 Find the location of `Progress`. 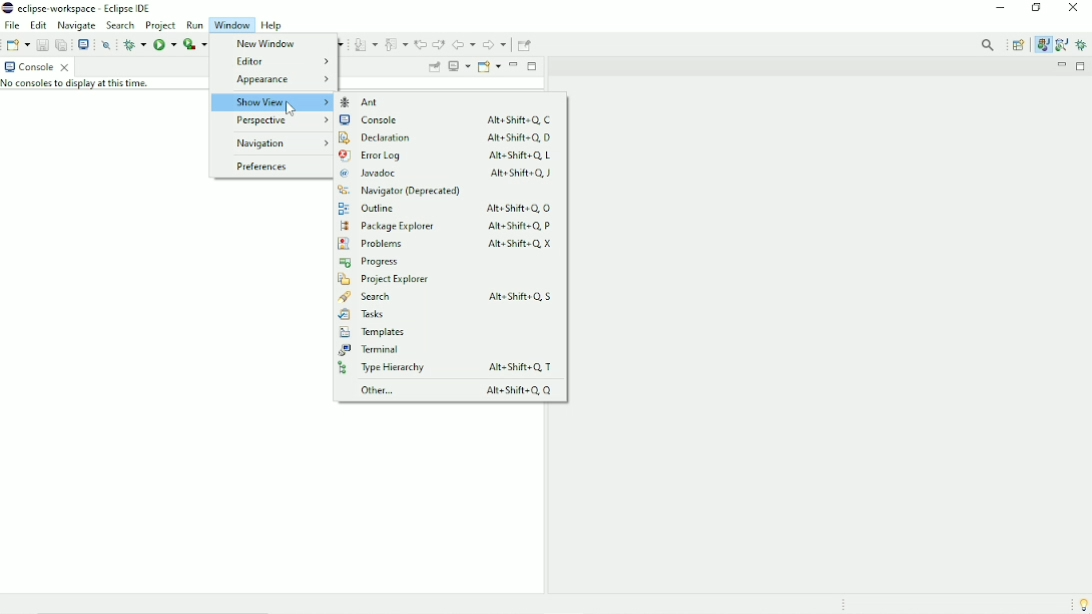

Progress is located at coordinates (370, 262).